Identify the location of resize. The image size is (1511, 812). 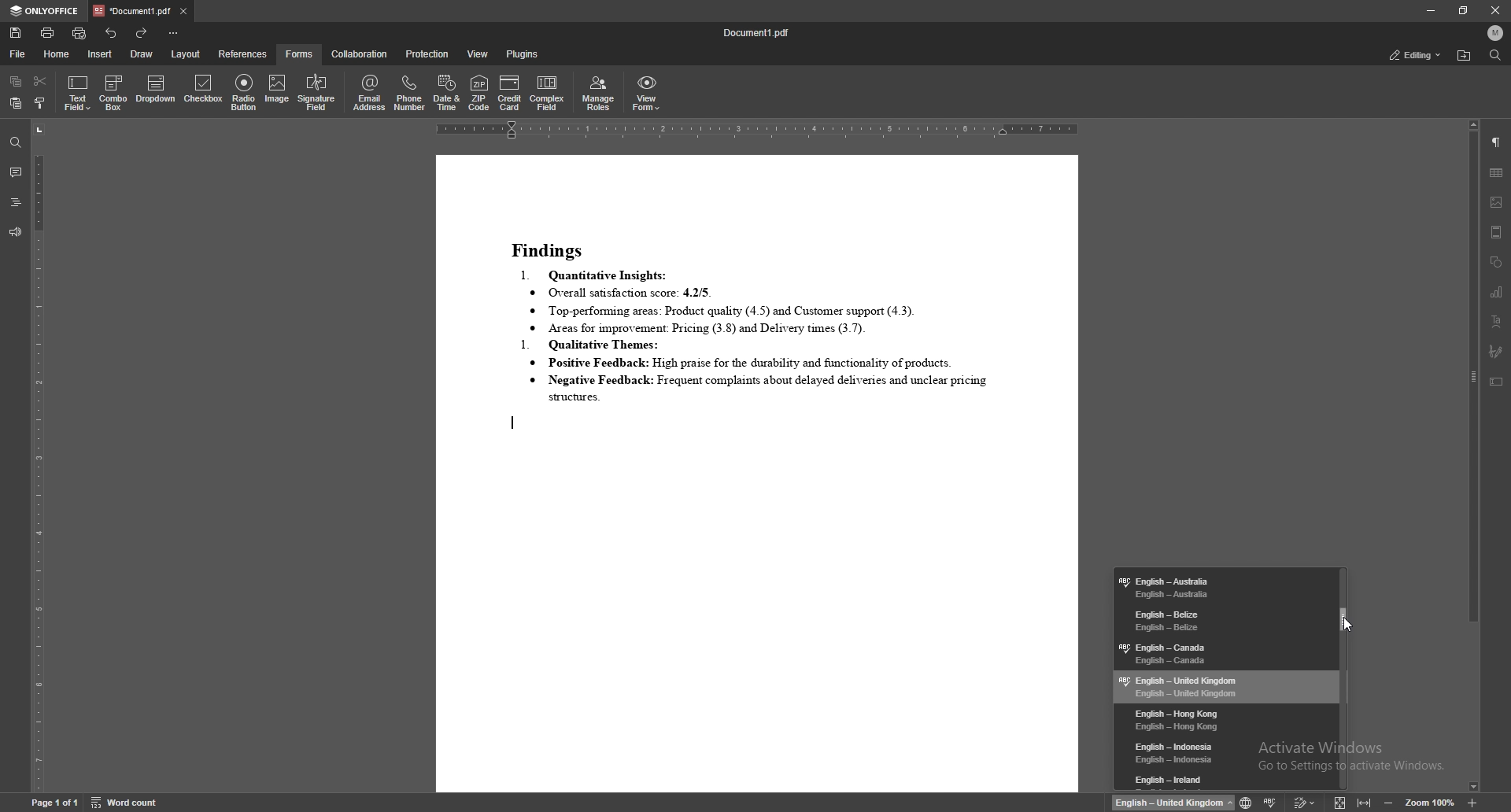
(1463, 10).